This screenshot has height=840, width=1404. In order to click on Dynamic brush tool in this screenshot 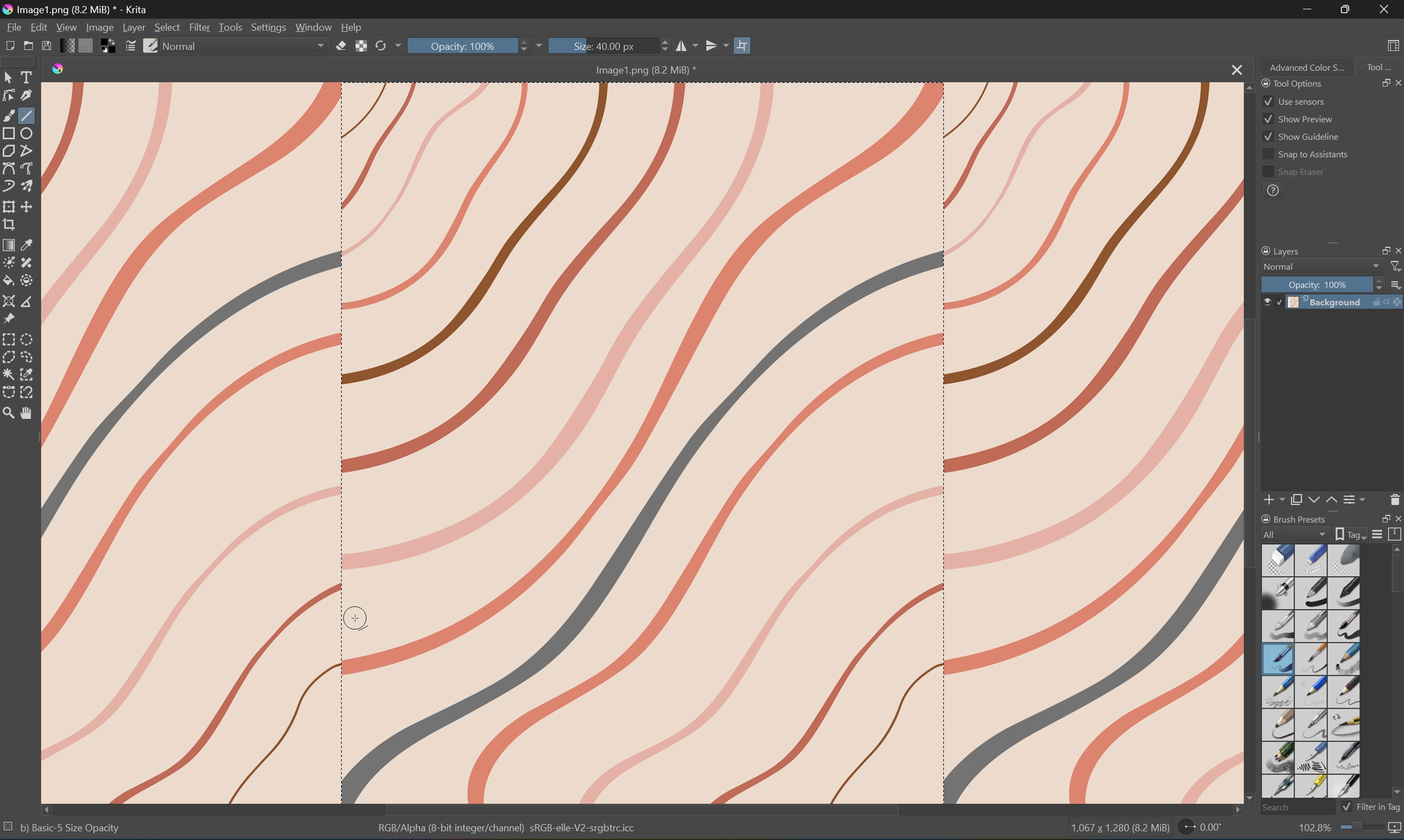, I will do `click(9, 186)`.